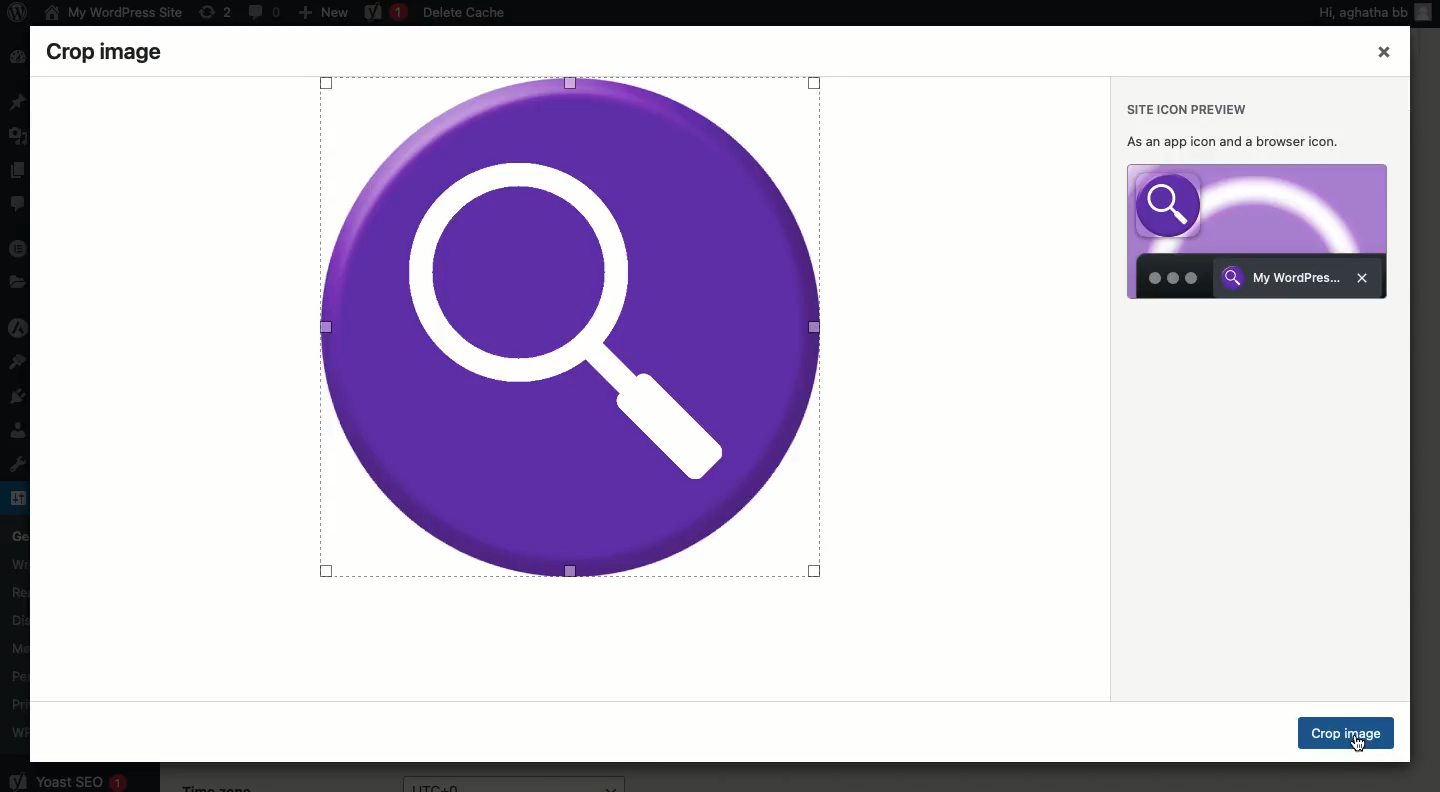 The width and height of the screenshot is (1440, 792). Describe the element at coordinates (17, 171) in the screenshot. I see `Pages` at that location.